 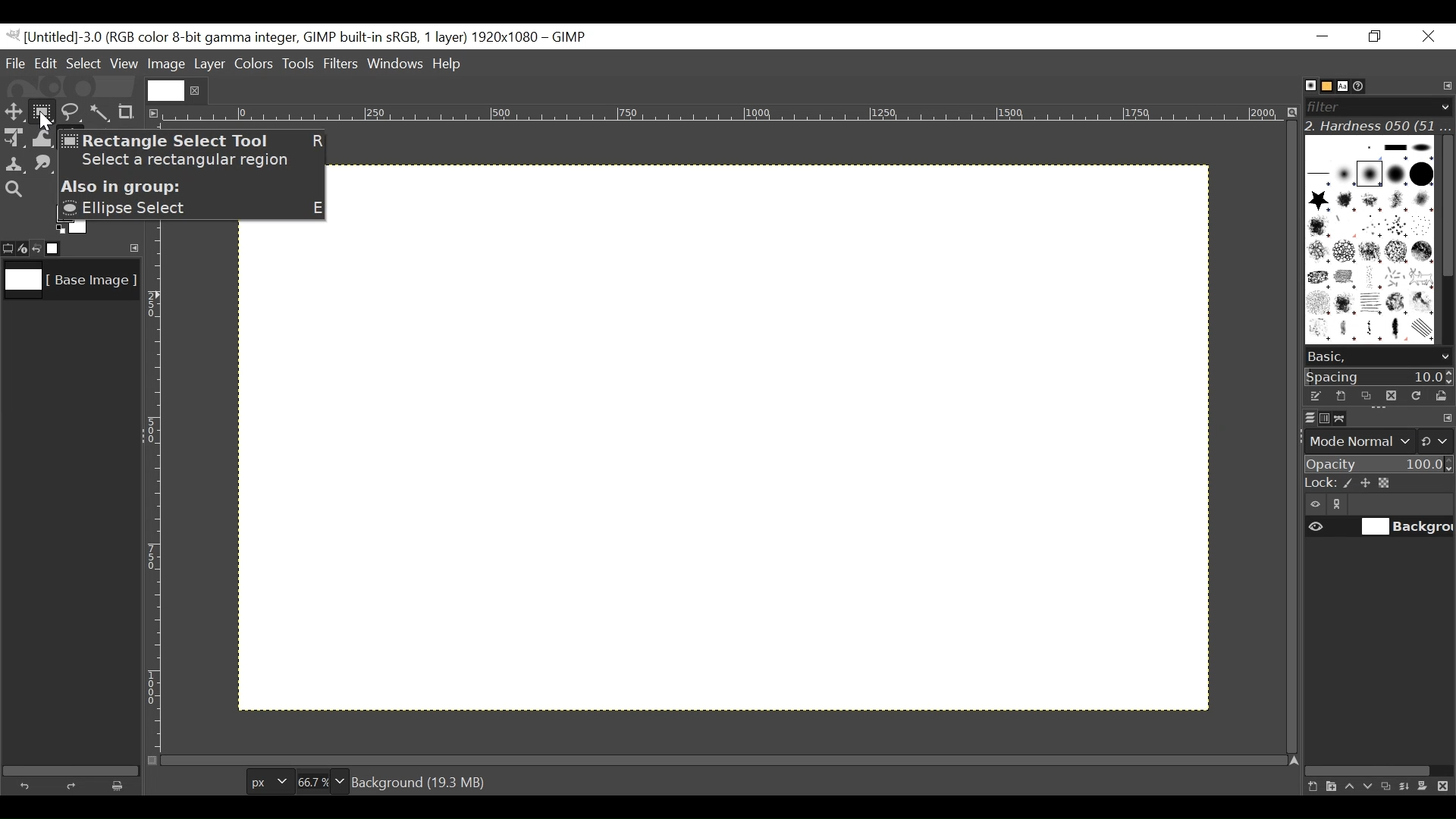 What do you see at coordinates (1315, 396) in the screenshot?
I see `Edit the brush` at bounding box center [1315, 396].